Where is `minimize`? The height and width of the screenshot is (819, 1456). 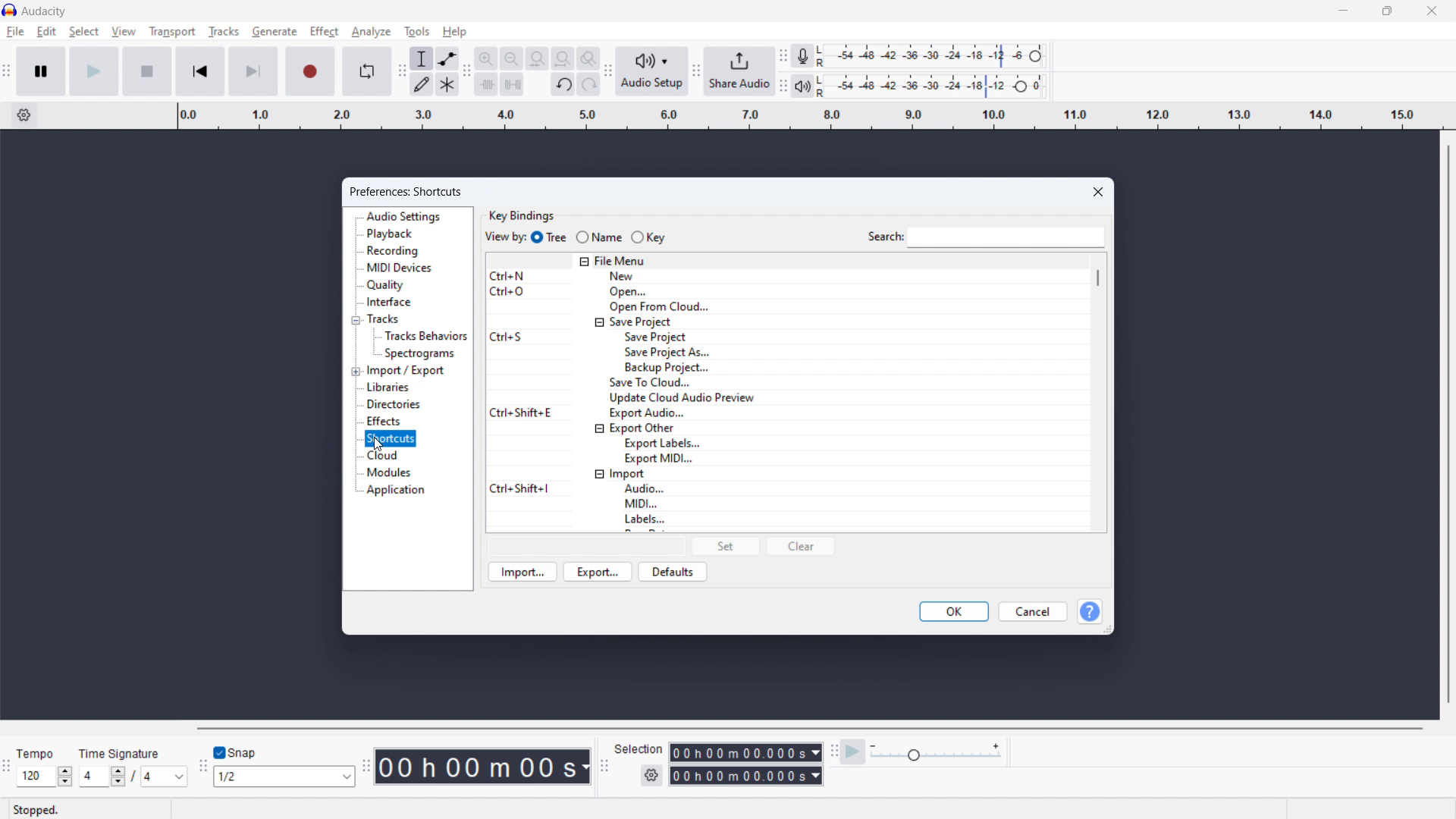 minimize is located at coordinates (1341, 11).